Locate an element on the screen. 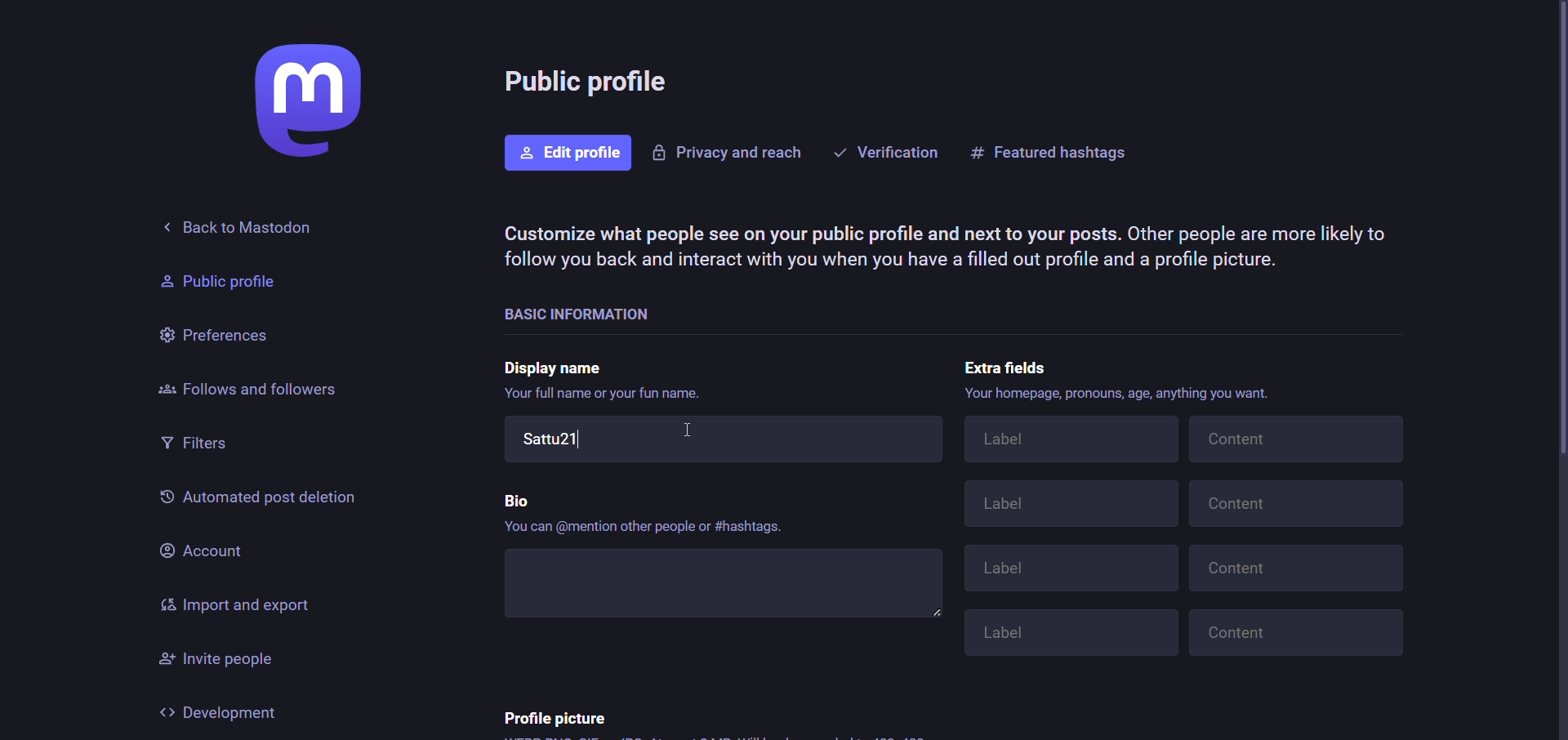 The width and height of the screenshot is (1568, 740). profile picture is located at coordinates (555, 716).